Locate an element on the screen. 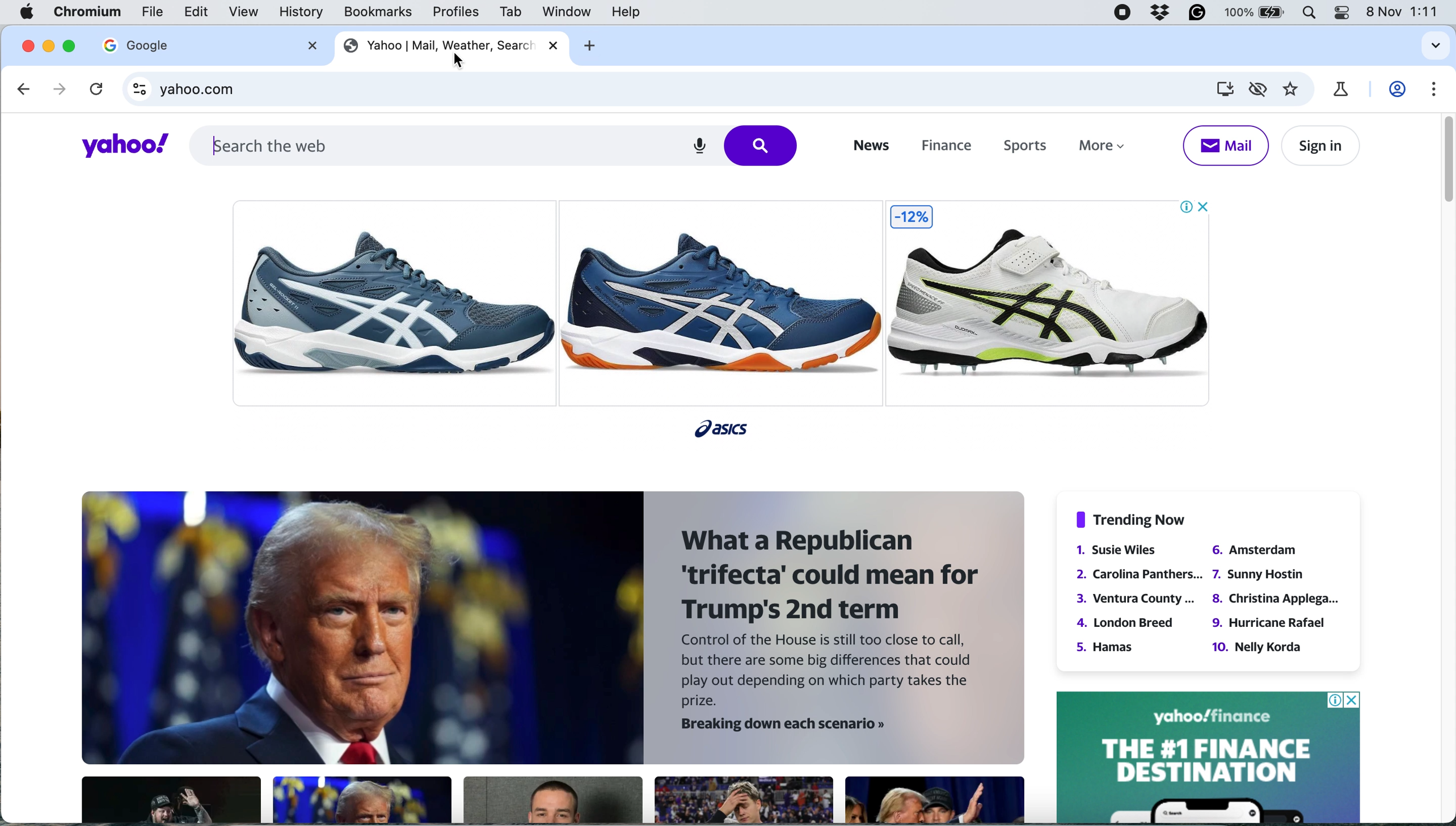 The height and width of the screenshot is (826, 1456). ad is located at coordinates (729, 311).